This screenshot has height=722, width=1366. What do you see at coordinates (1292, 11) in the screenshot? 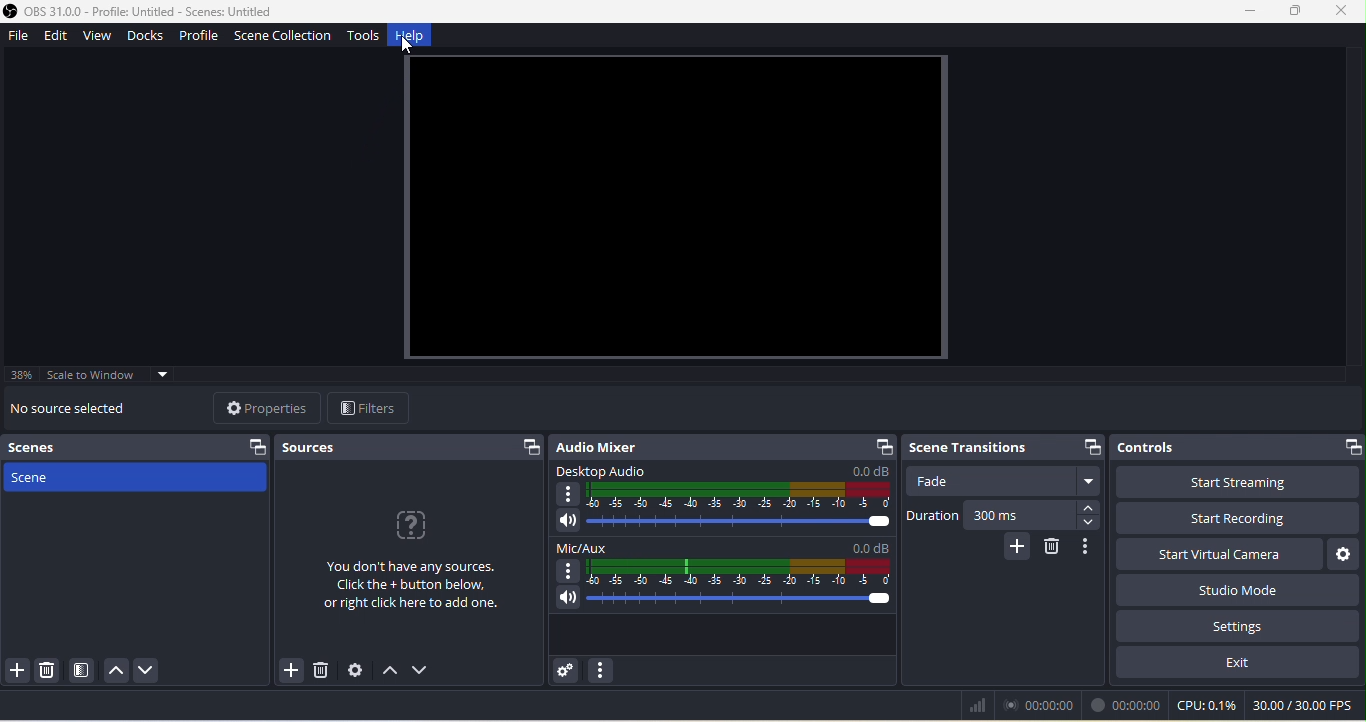
I see `maximize` at bounding box center [1292, 11].